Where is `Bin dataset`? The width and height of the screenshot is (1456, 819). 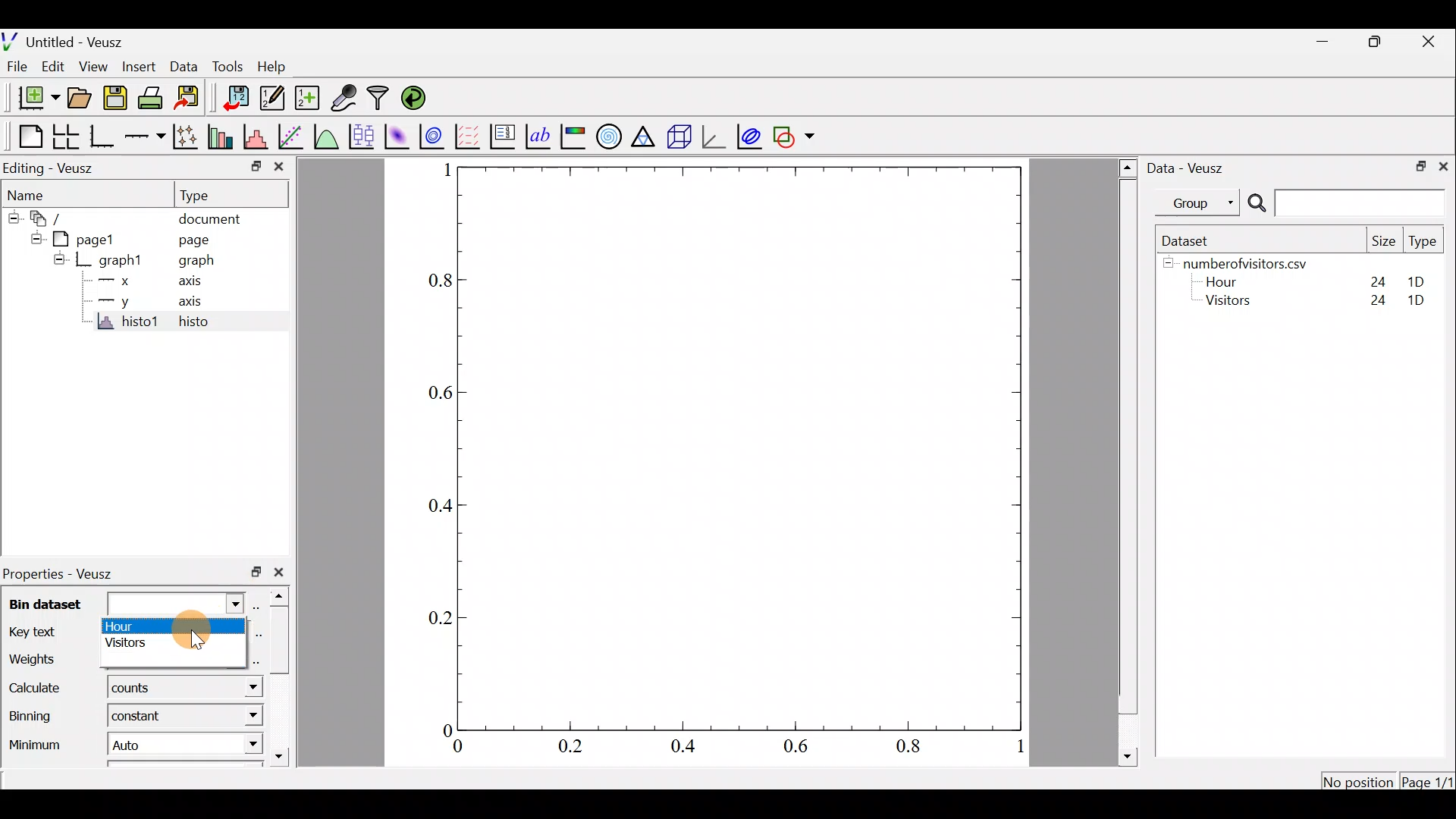
Bin dataset is located at coordinates (124, 603).